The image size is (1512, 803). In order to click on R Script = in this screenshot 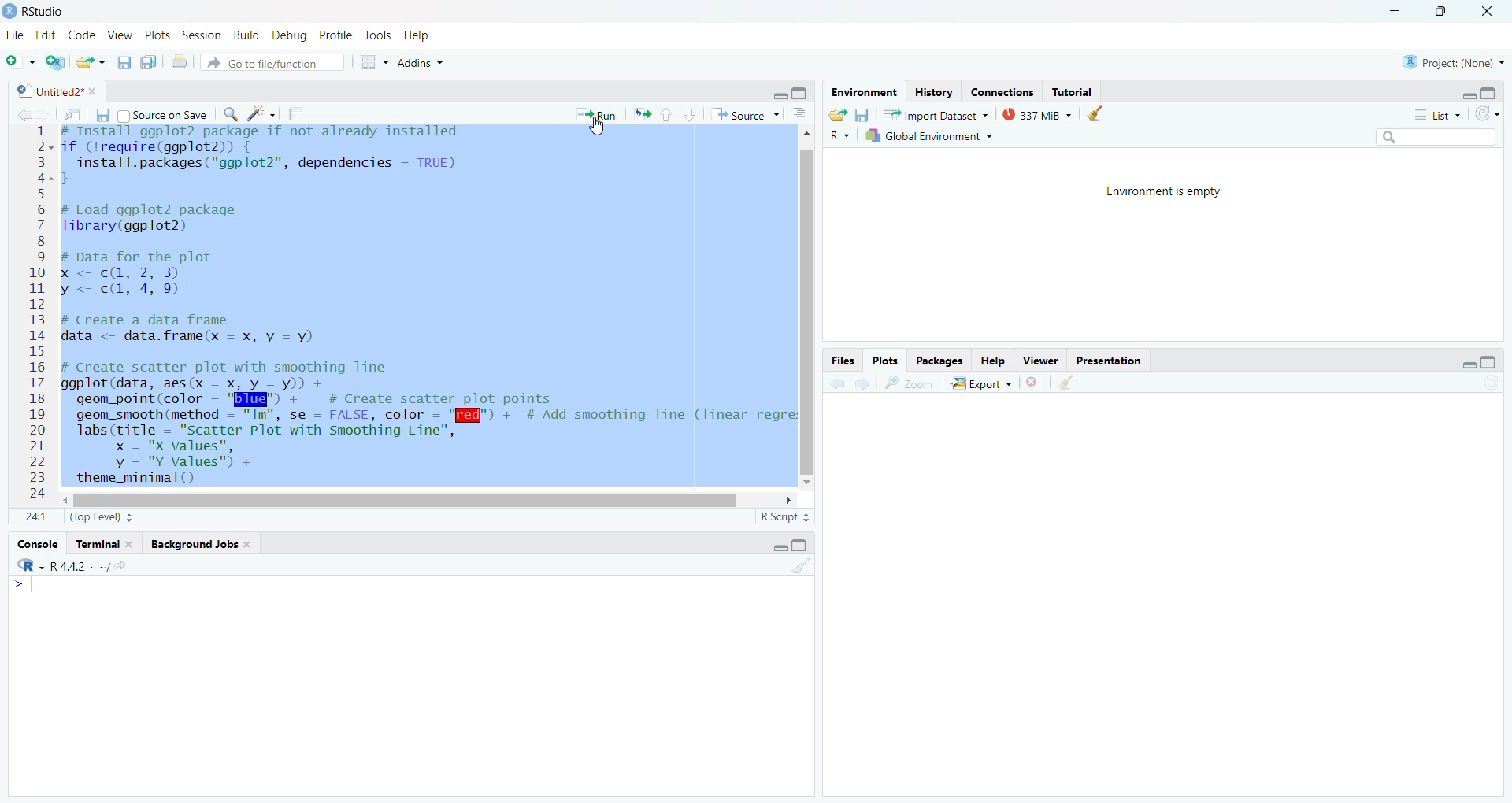, I will do `click(783, 516)`.